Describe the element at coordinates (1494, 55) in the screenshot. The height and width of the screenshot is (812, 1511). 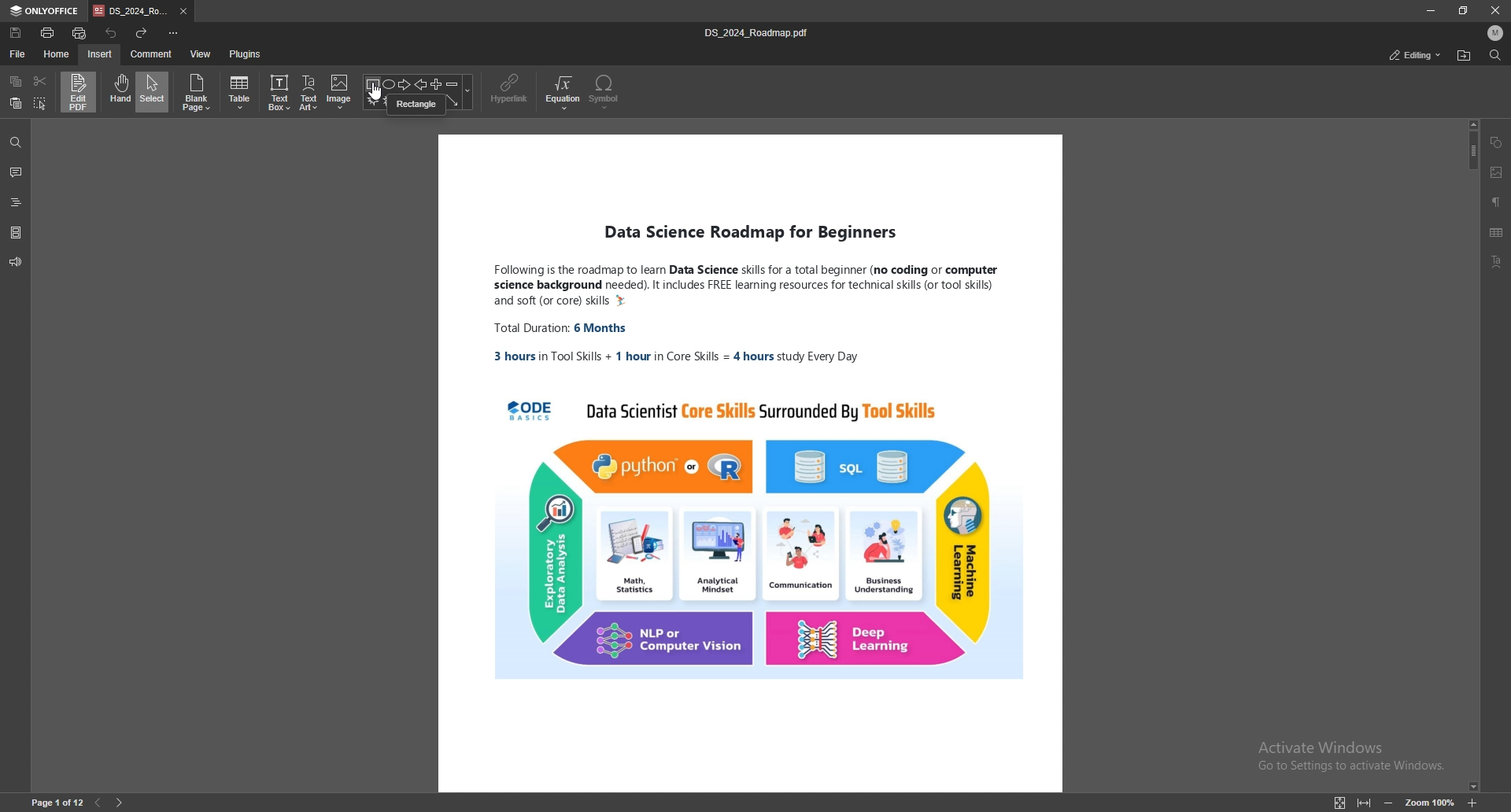
I see `find` at that location.